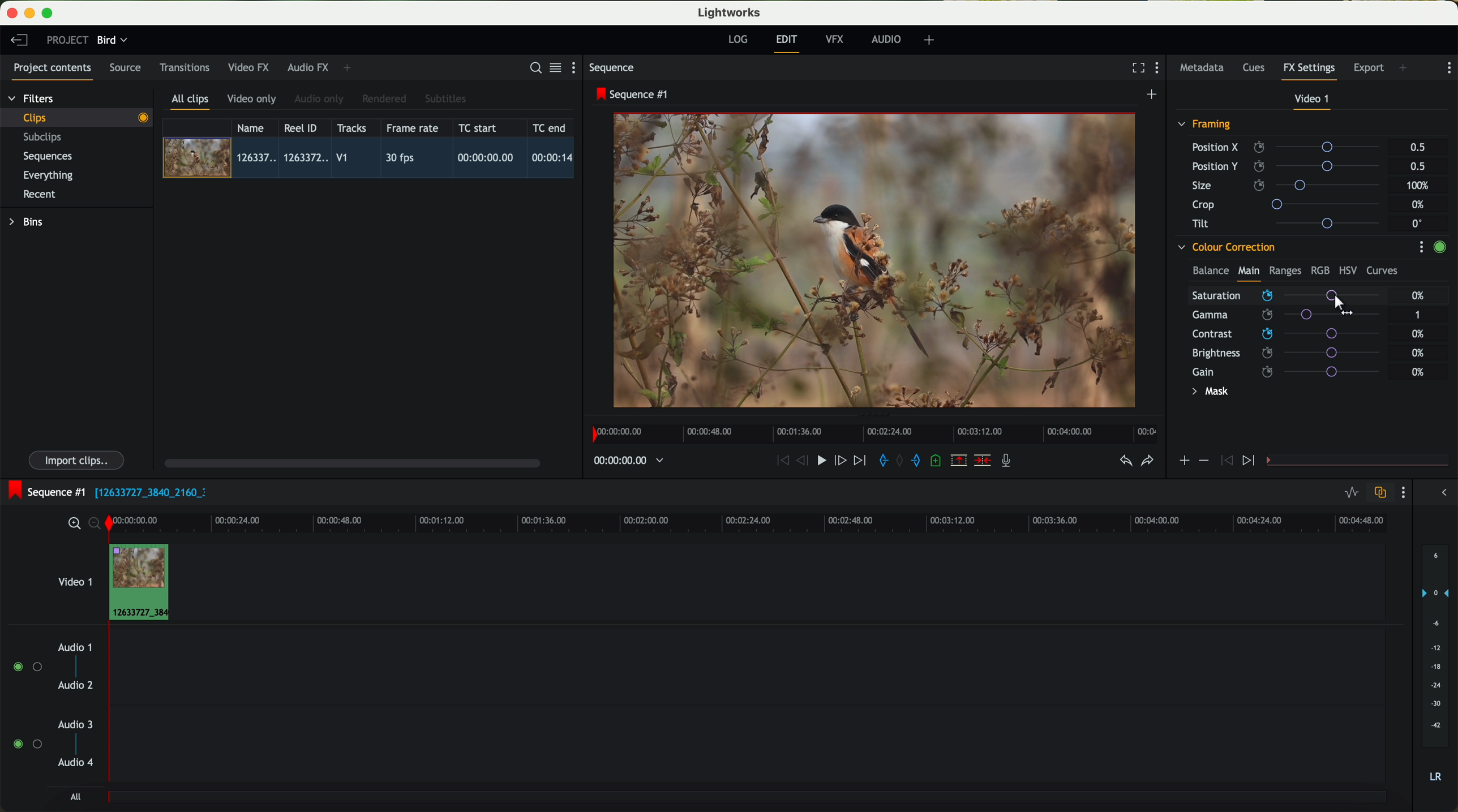  Describe the element at coordinates (1257, 68) in the screenshot. I see `cues` at that location.